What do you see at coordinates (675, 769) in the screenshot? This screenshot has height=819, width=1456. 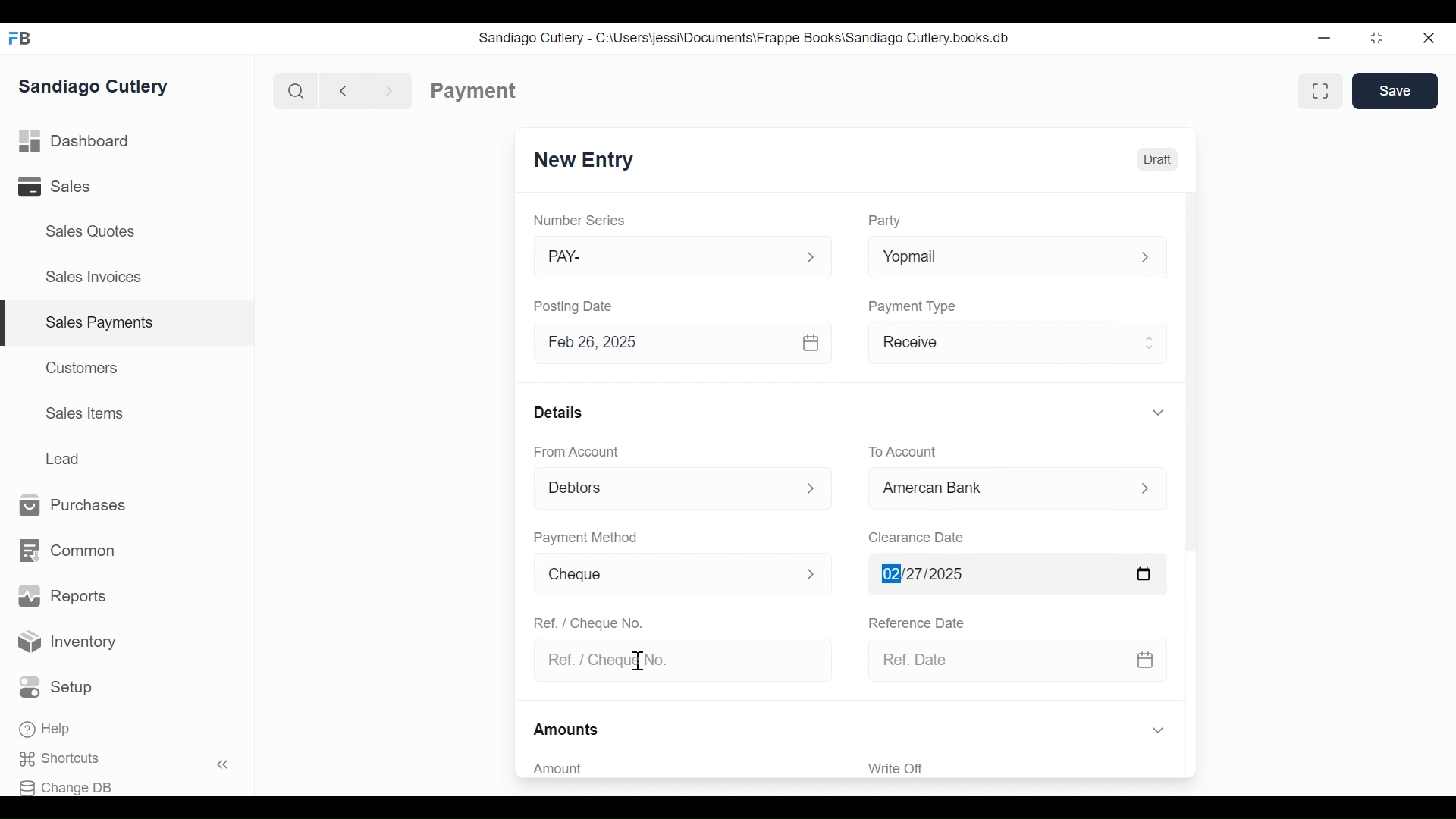 I see `Amount` at bounding box center [675, 769].